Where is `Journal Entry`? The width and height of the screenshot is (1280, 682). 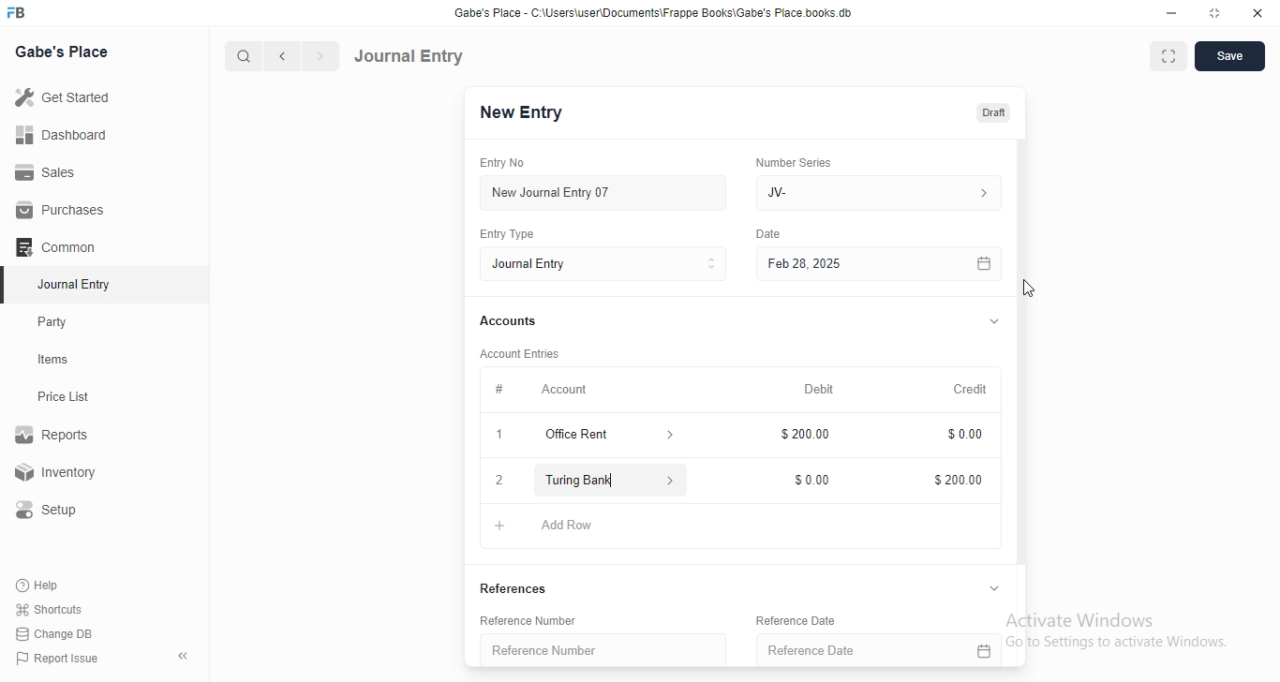
Journal Entry is located at coordinates (409, 56).